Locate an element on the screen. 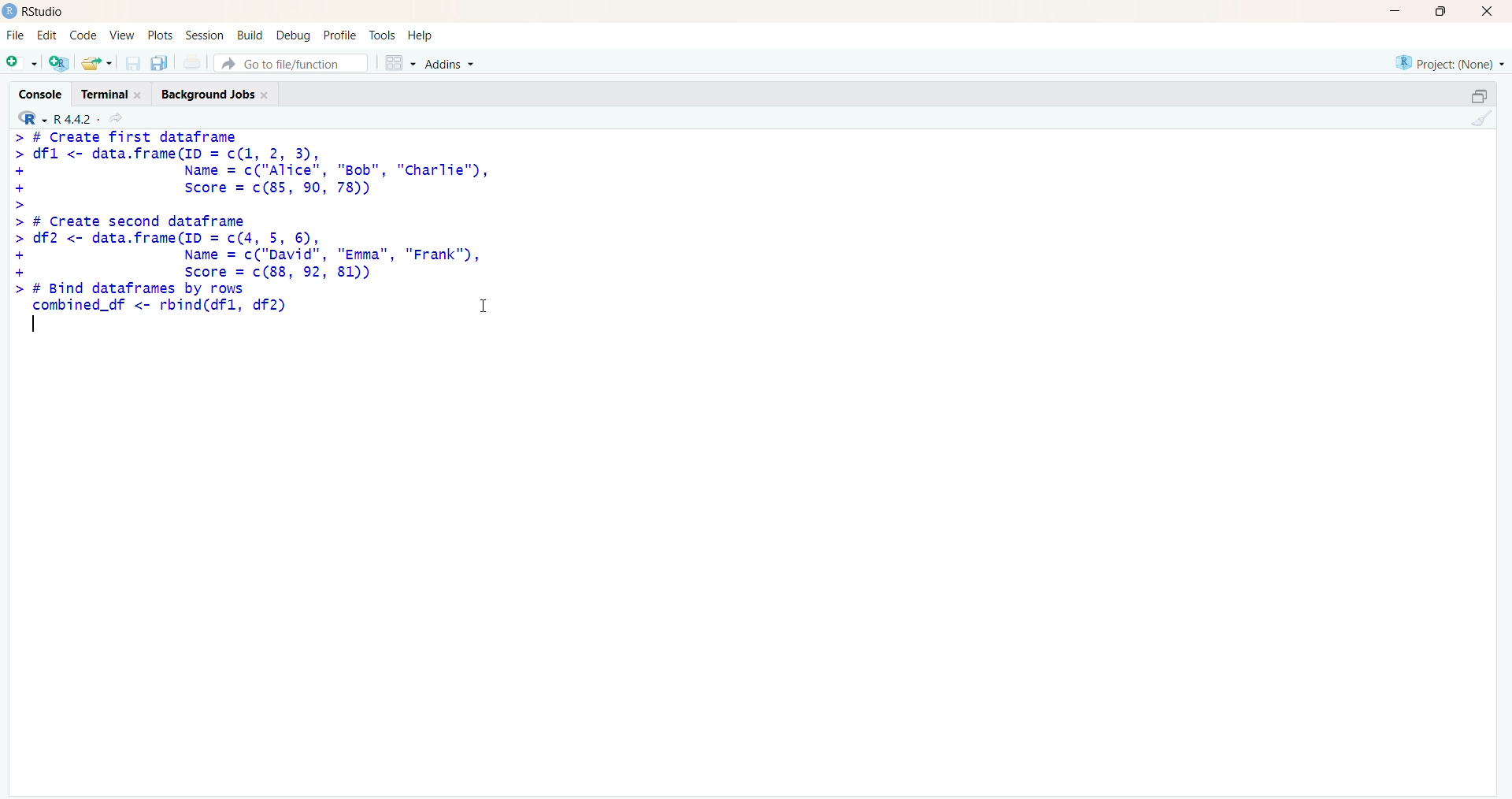 Image resolution: width=1512 pixels, height=799 pixels. # Bind dataframes by rows
combined_df <- rbind(dfl, df2) is located at coordinates (154, 310).